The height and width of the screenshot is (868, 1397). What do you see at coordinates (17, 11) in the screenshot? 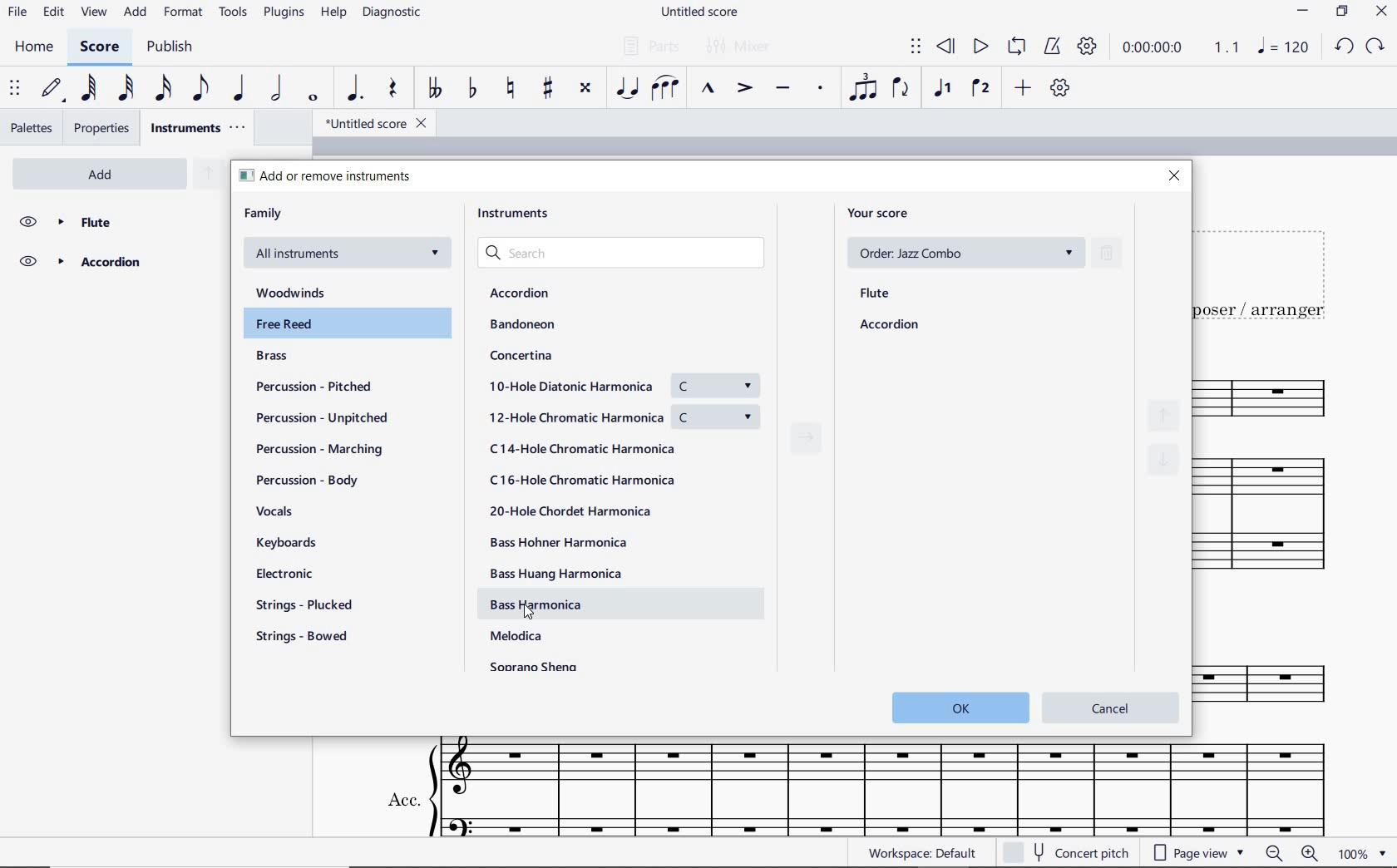
I see `FILE` at bounding box center [17, 11].